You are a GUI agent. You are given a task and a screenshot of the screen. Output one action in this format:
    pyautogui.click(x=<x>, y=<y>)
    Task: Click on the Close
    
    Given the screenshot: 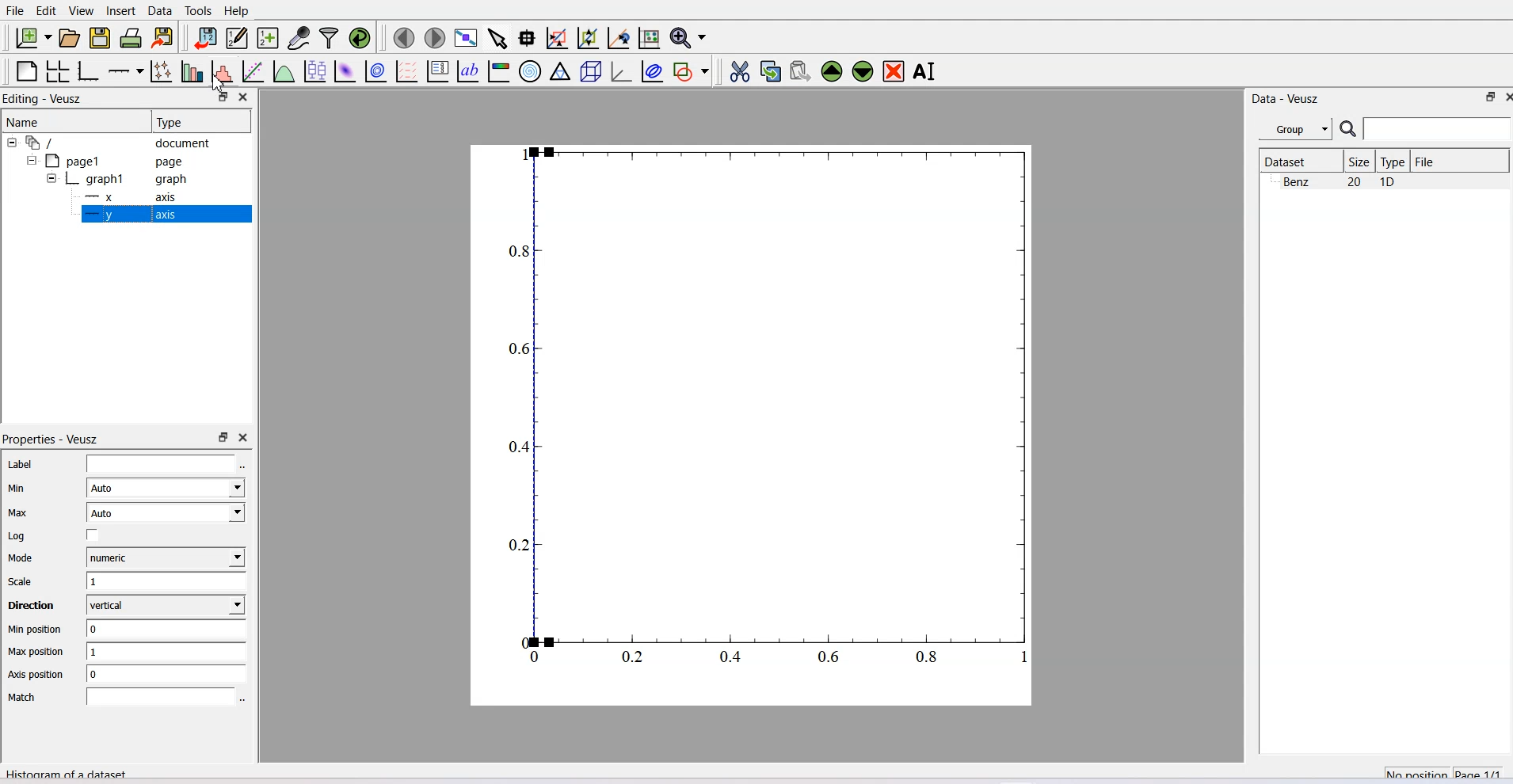 What is the action you would take?
    pyautogui.click(x=1493, y=97)
    